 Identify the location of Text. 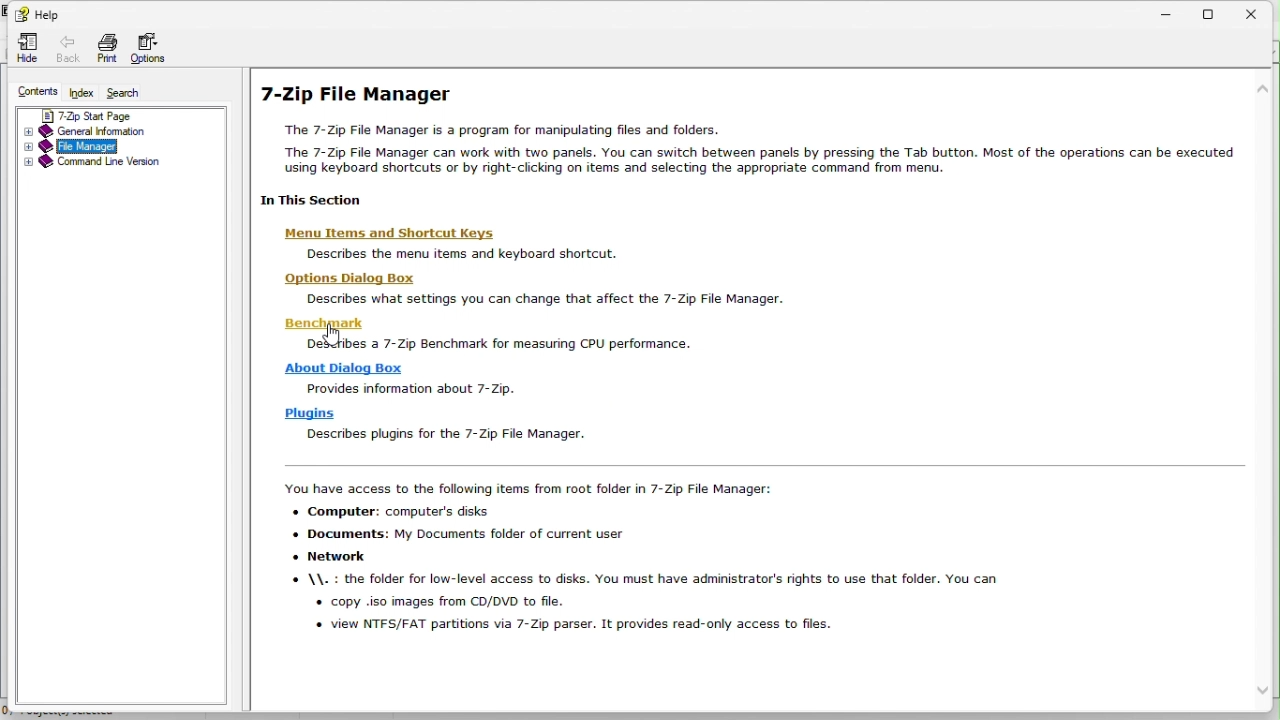
(767, 532).